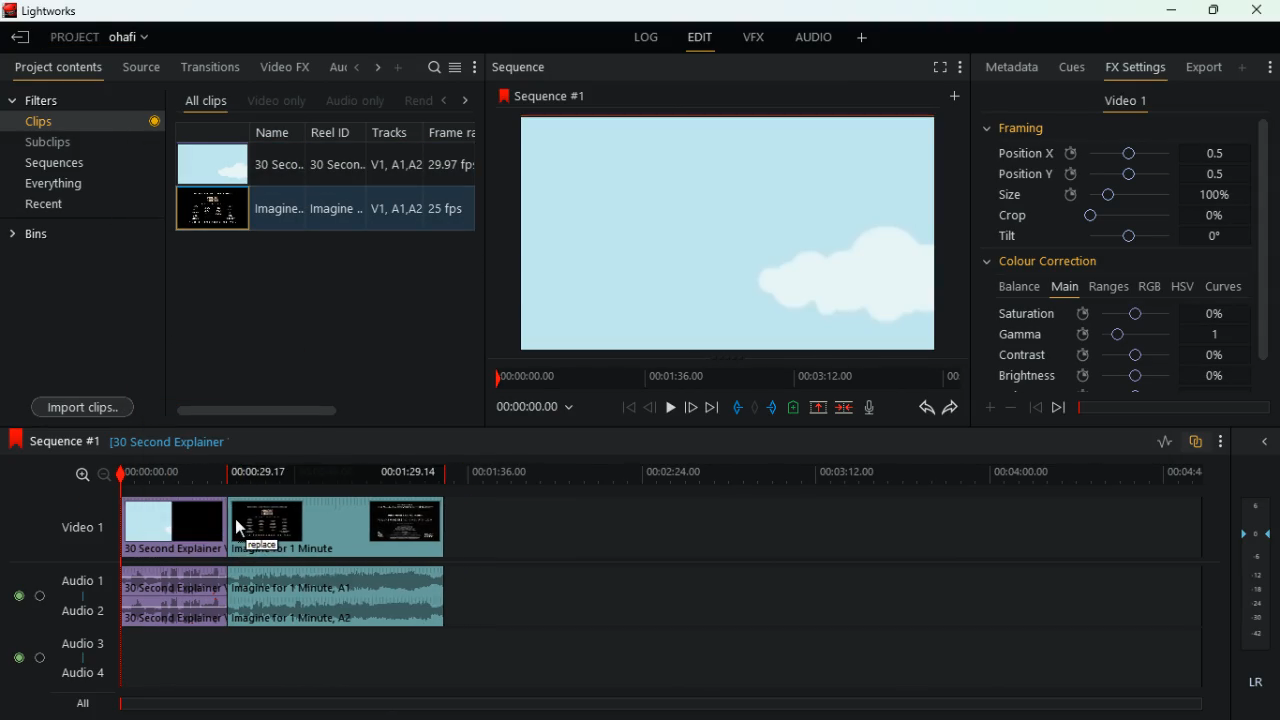 The width and height of the screenshot is (1280, 720). What do you see at coordinates (87, 120) in the screenshot?
I see `clips` at bounding box center [87, 120].